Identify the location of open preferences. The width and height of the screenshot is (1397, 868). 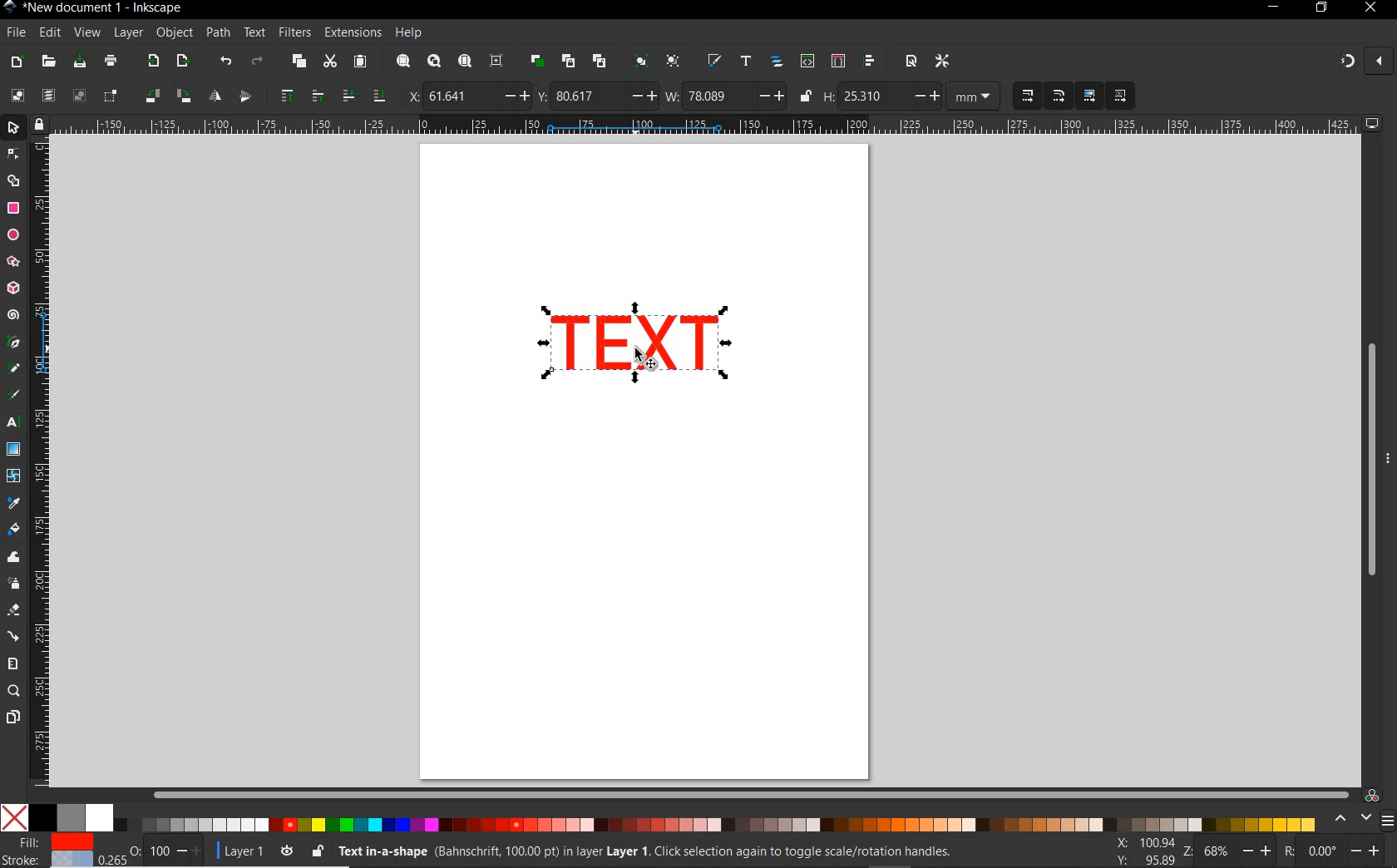
(943, 60).